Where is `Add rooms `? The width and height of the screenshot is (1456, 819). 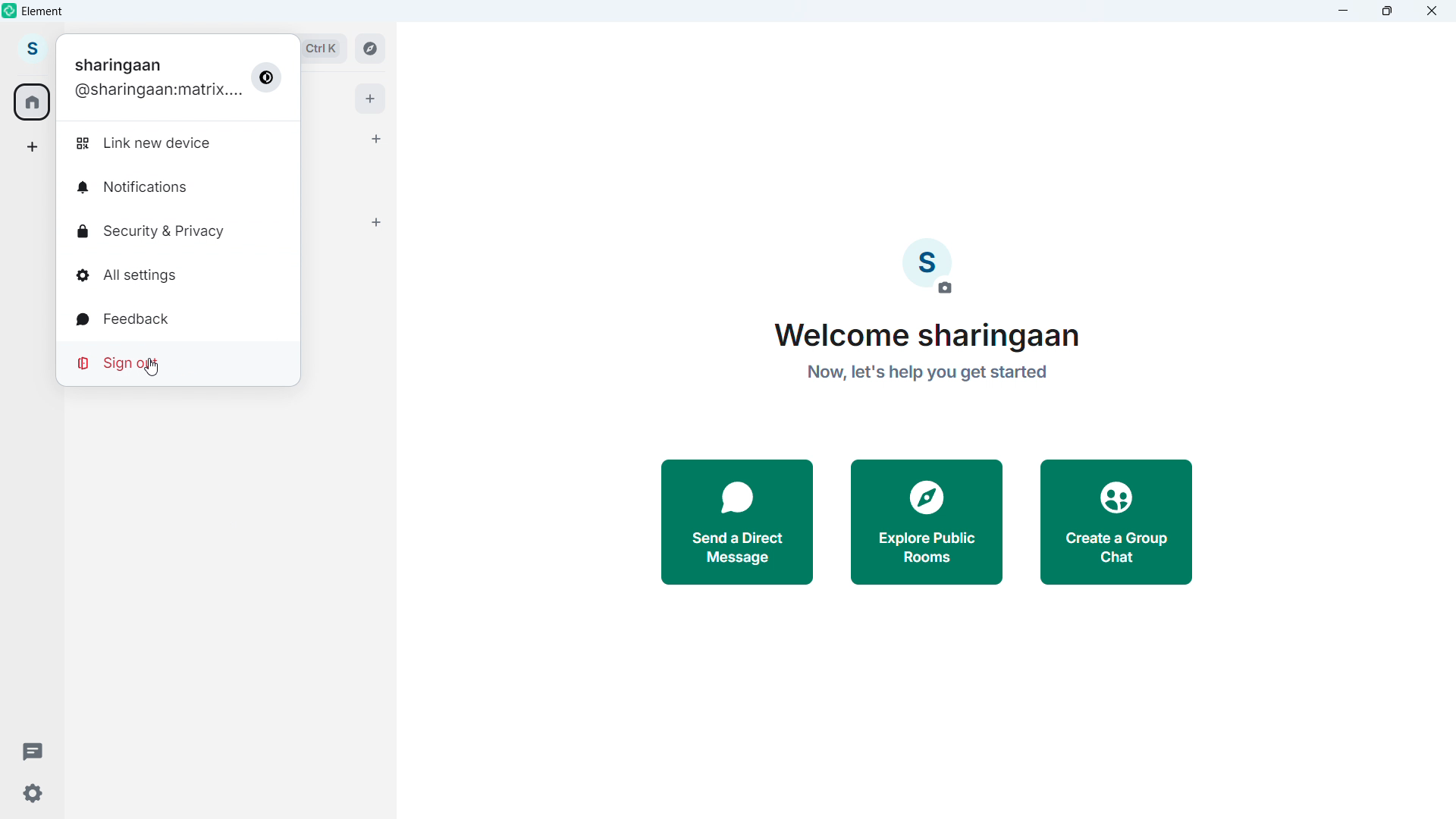
Add rooms  is located at coordinates (378, 222).